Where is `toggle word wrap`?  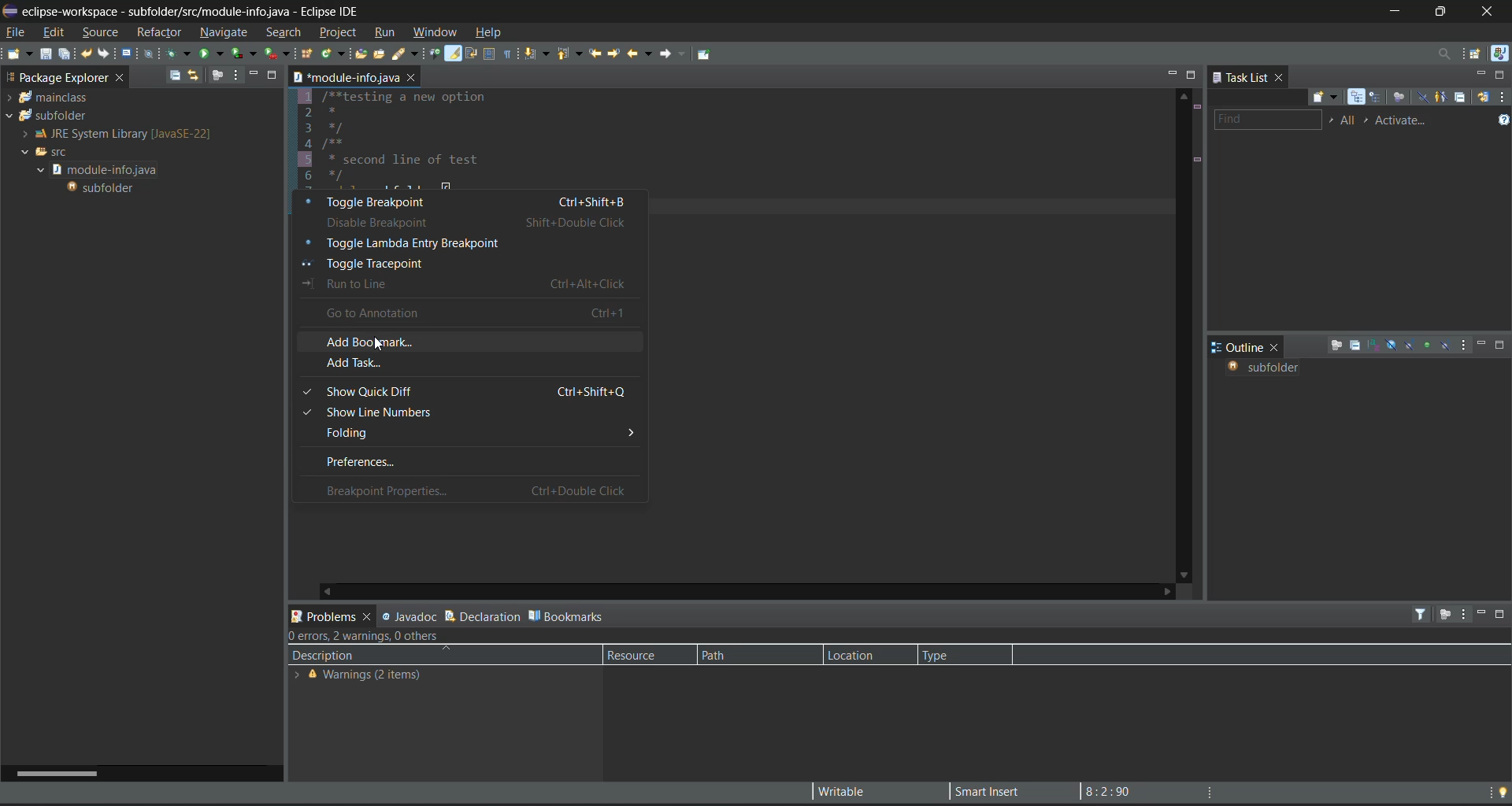
toggle word wrap is located at coordinates (472, 53).